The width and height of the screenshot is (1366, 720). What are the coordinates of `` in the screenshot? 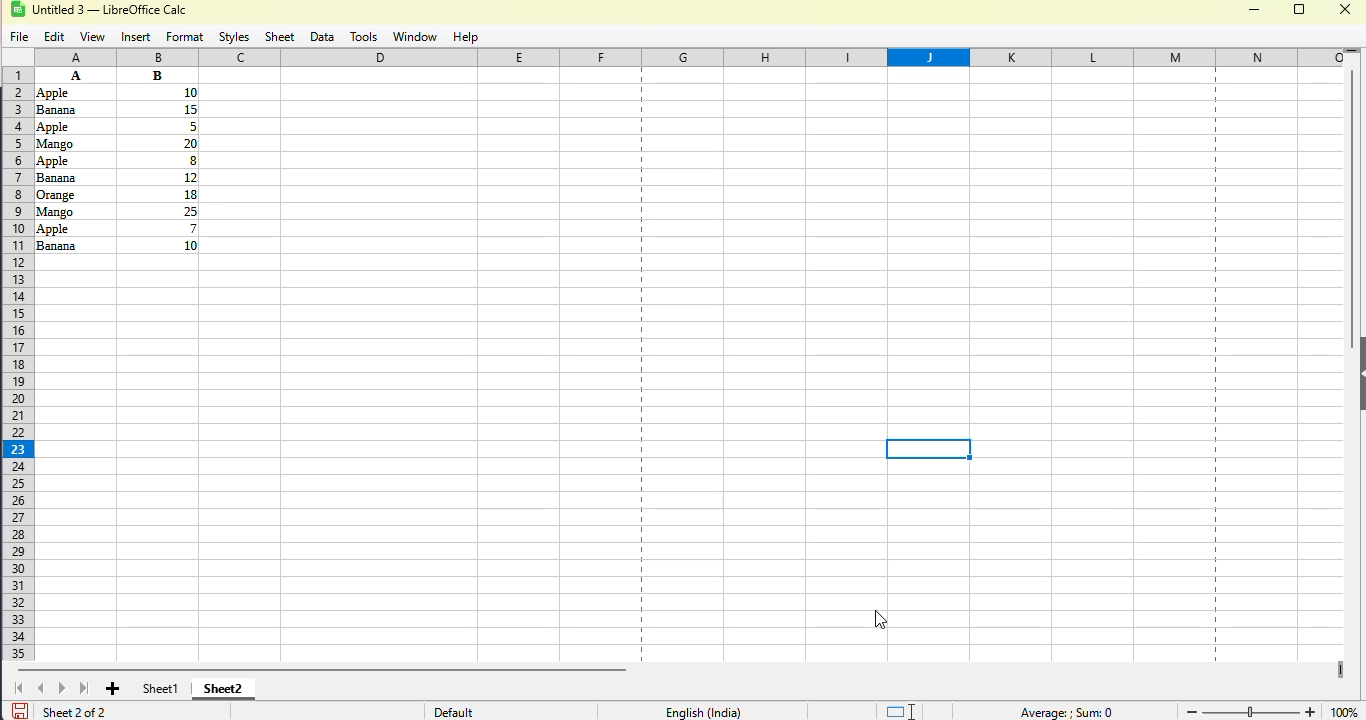 It's located at (158, 159).